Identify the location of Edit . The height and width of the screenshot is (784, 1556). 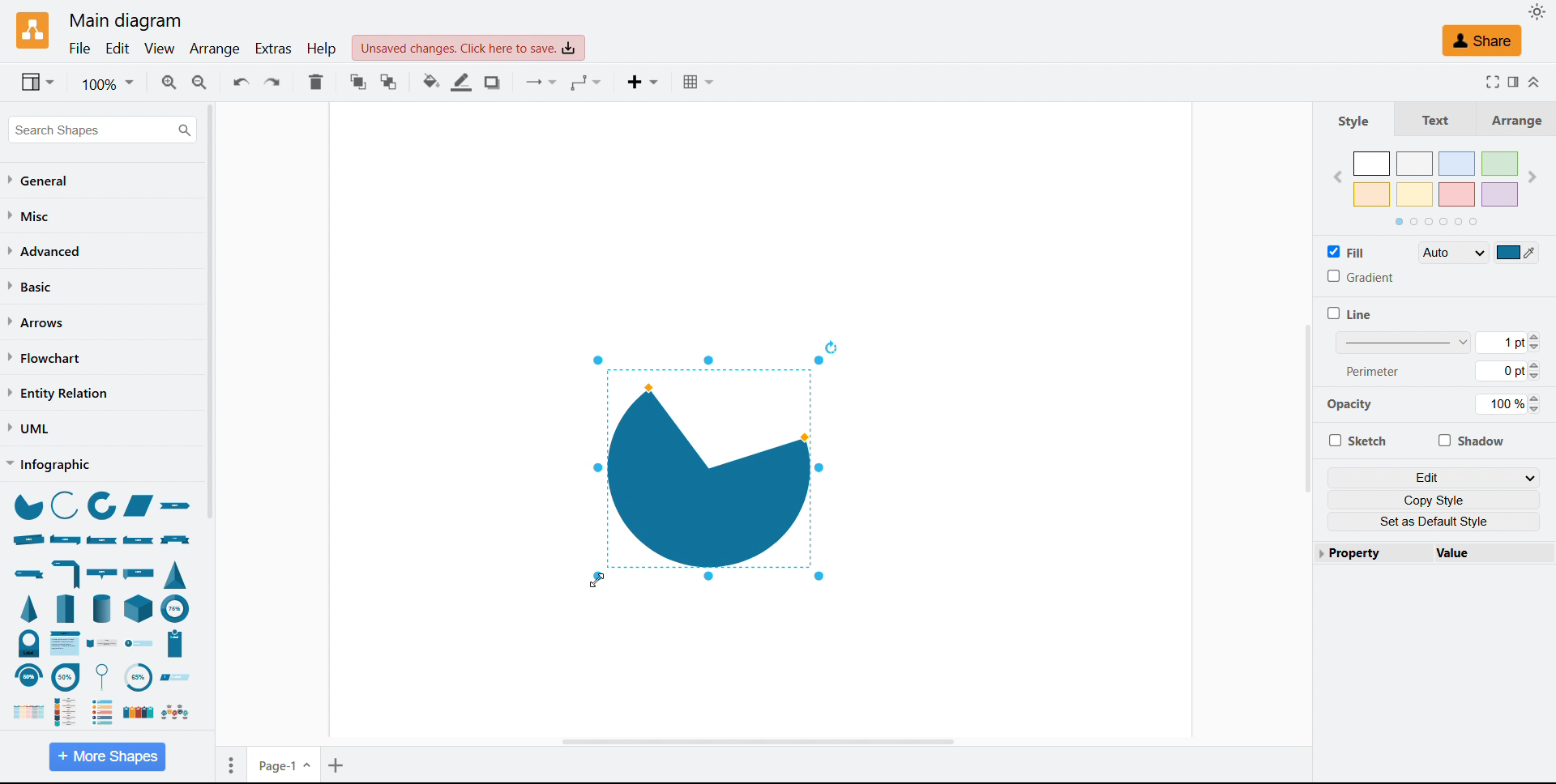
(118, 49).